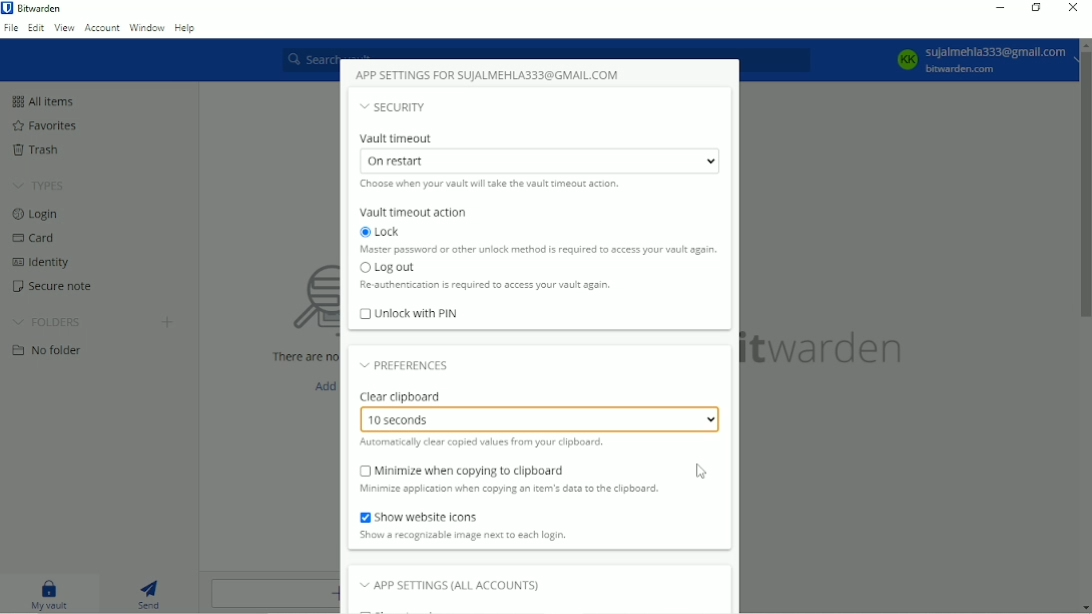 This screenshot has width=1092, height=614. What do you see at coordinates (1037, 8) in the screenshot?
I see `Restore down` at bounding box center [1037, 8].